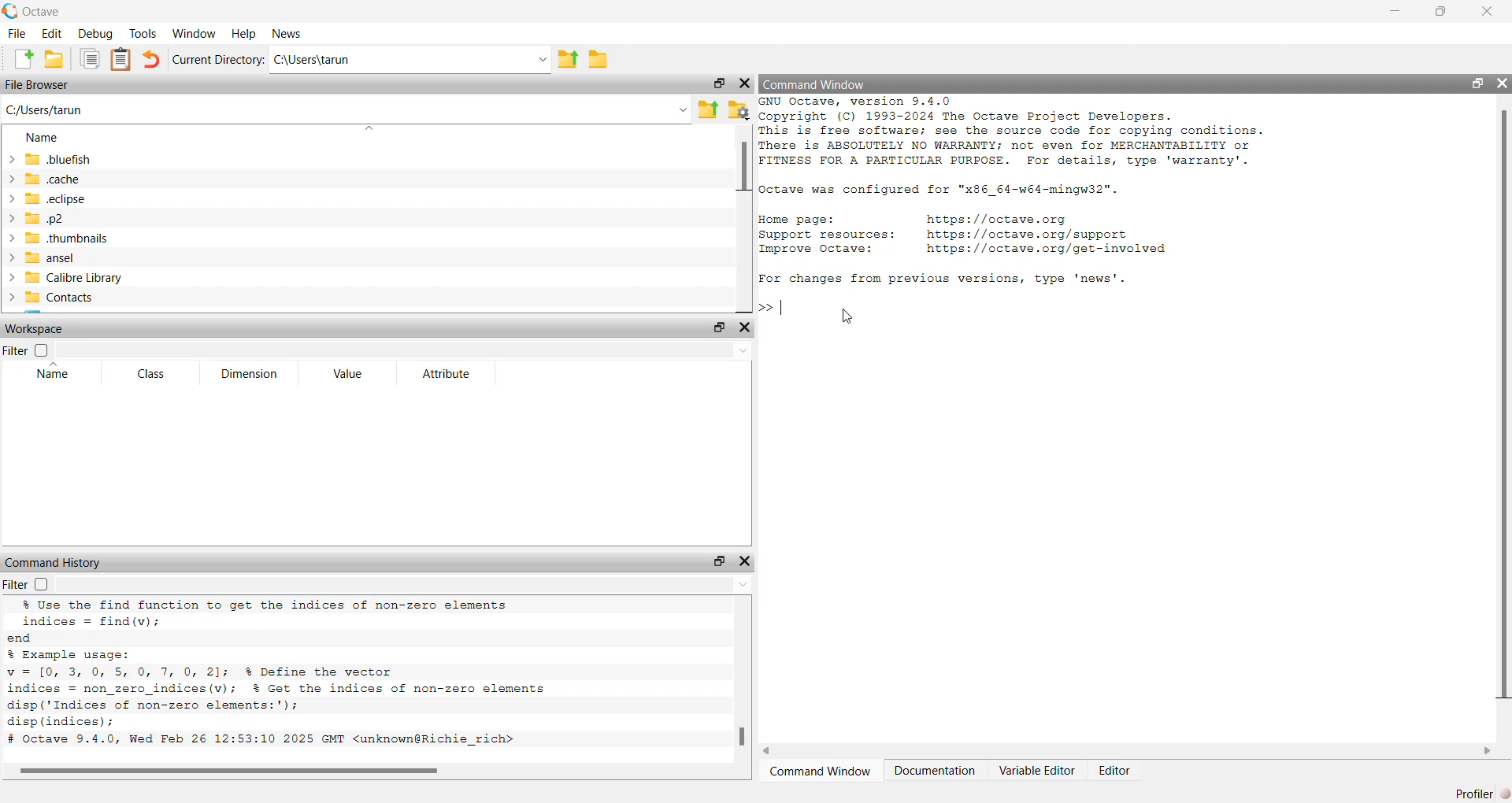 The width and height of the screenshot is (1512, 803). I want to click on vertical scroll bar, so click(743, 217).